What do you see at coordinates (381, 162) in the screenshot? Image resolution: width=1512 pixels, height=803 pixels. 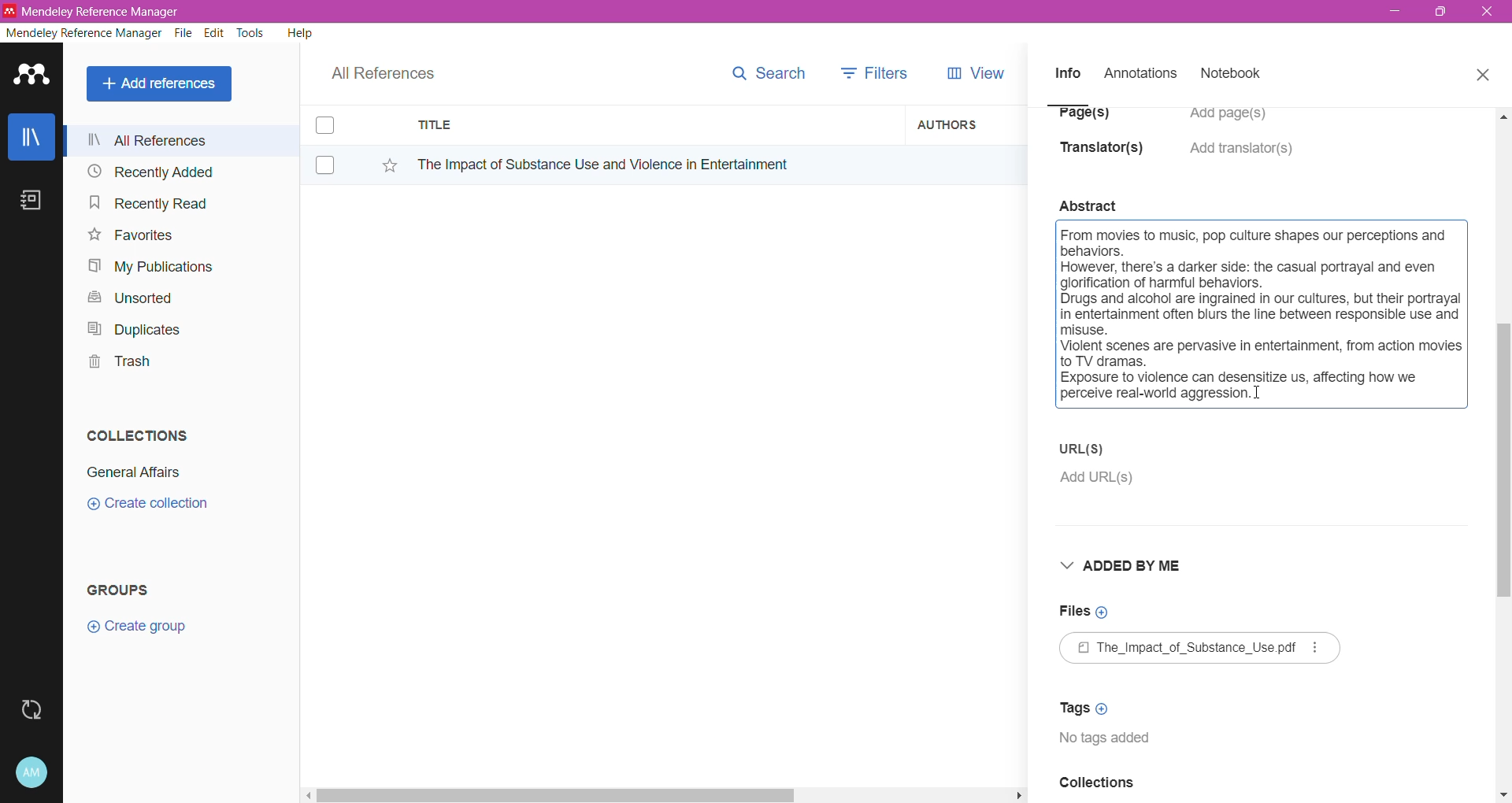 I see `Click to Add to Favorites` at bounding box center [381, 162].